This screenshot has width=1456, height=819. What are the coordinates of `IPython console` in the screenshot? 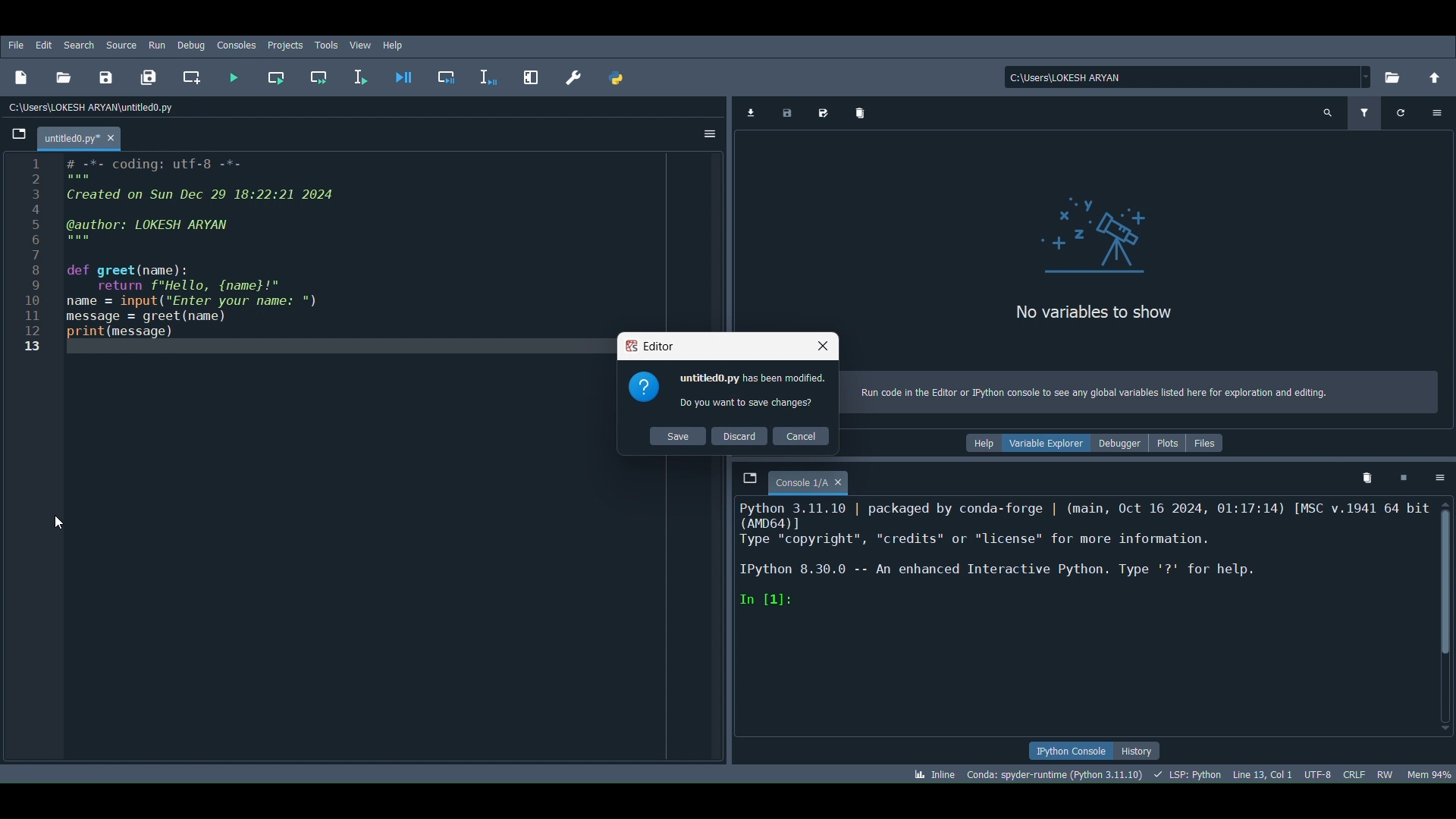 It's located at (1071, 748).